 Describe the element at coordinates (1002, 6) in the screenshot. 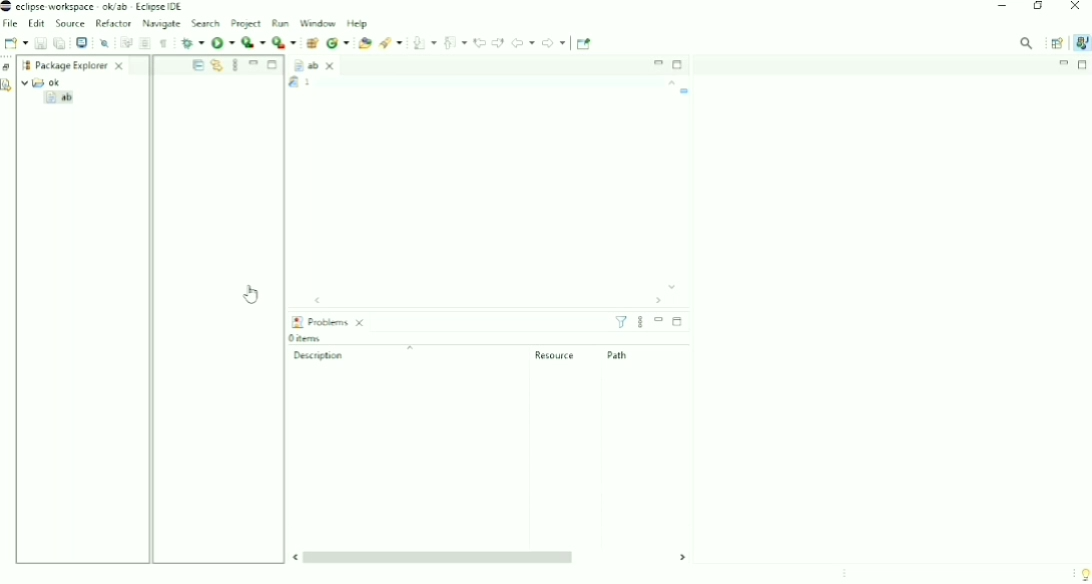

I see `Minimize` at that location.